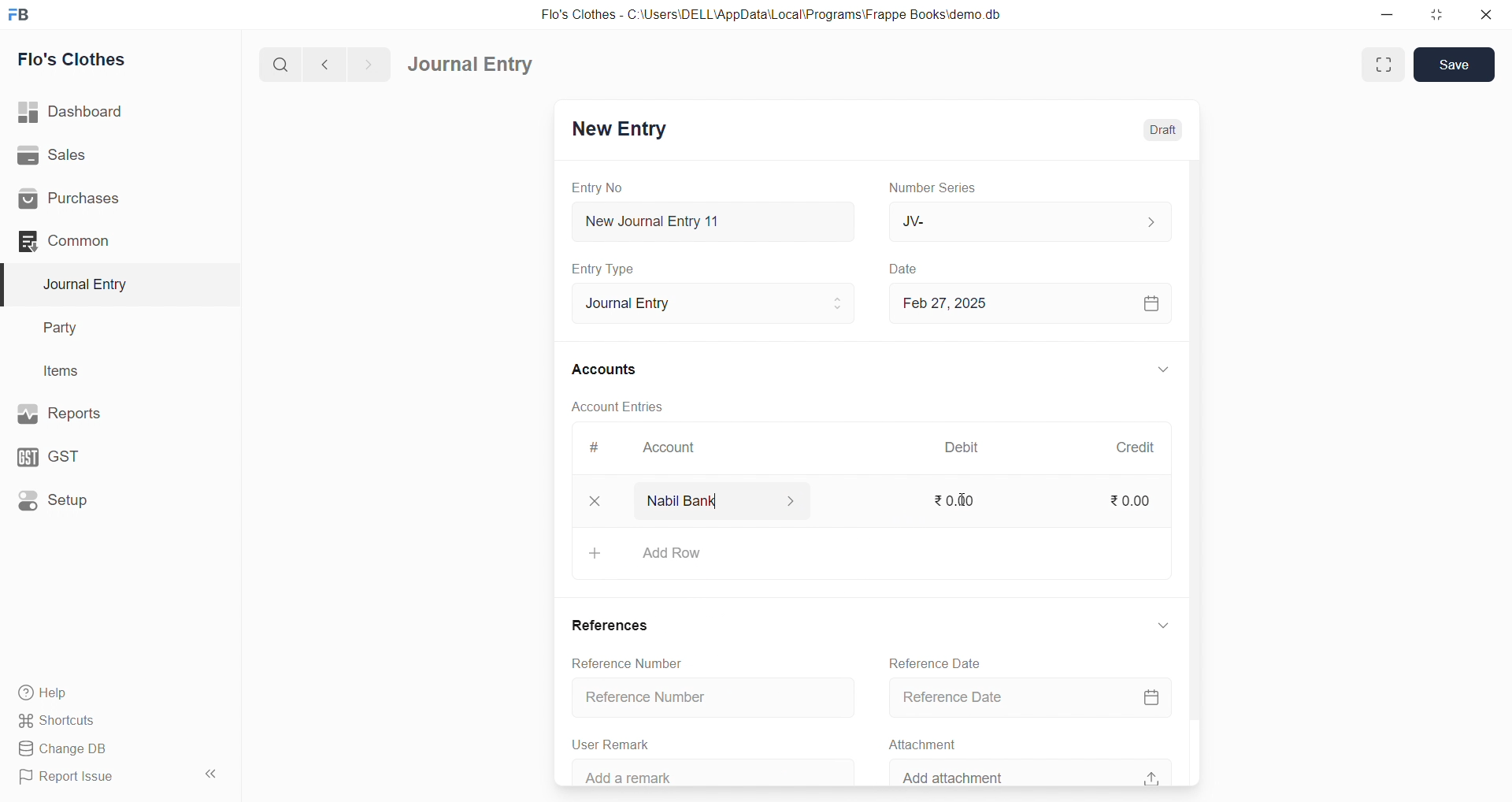 This screenshot has height=802, width=1512. Describe the element at coordinates (965, 446) in the screenshot. I see `Debit` at that location.